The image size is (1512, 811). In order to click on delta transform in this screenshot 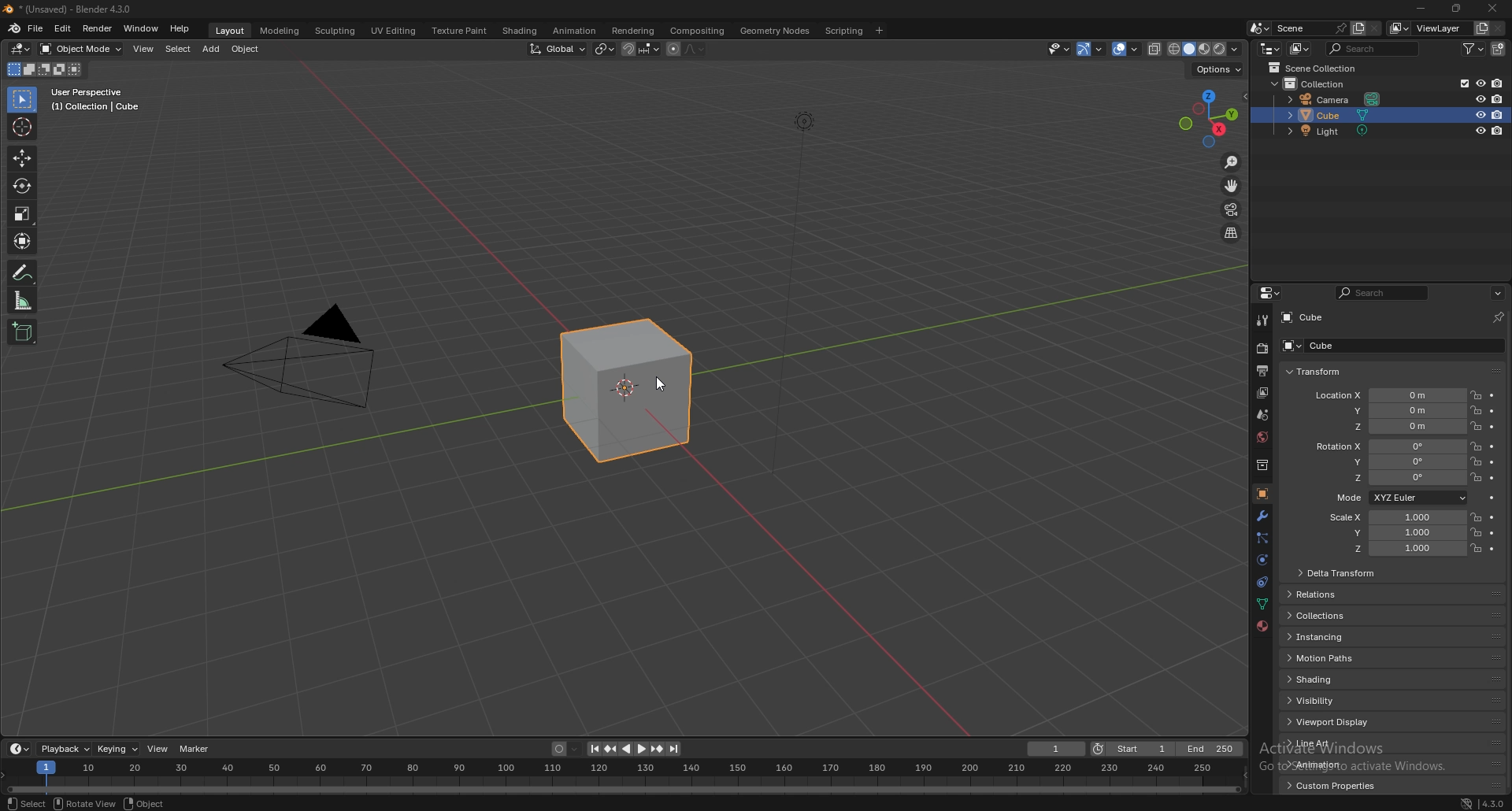, I will do `click(1359, 573)`.